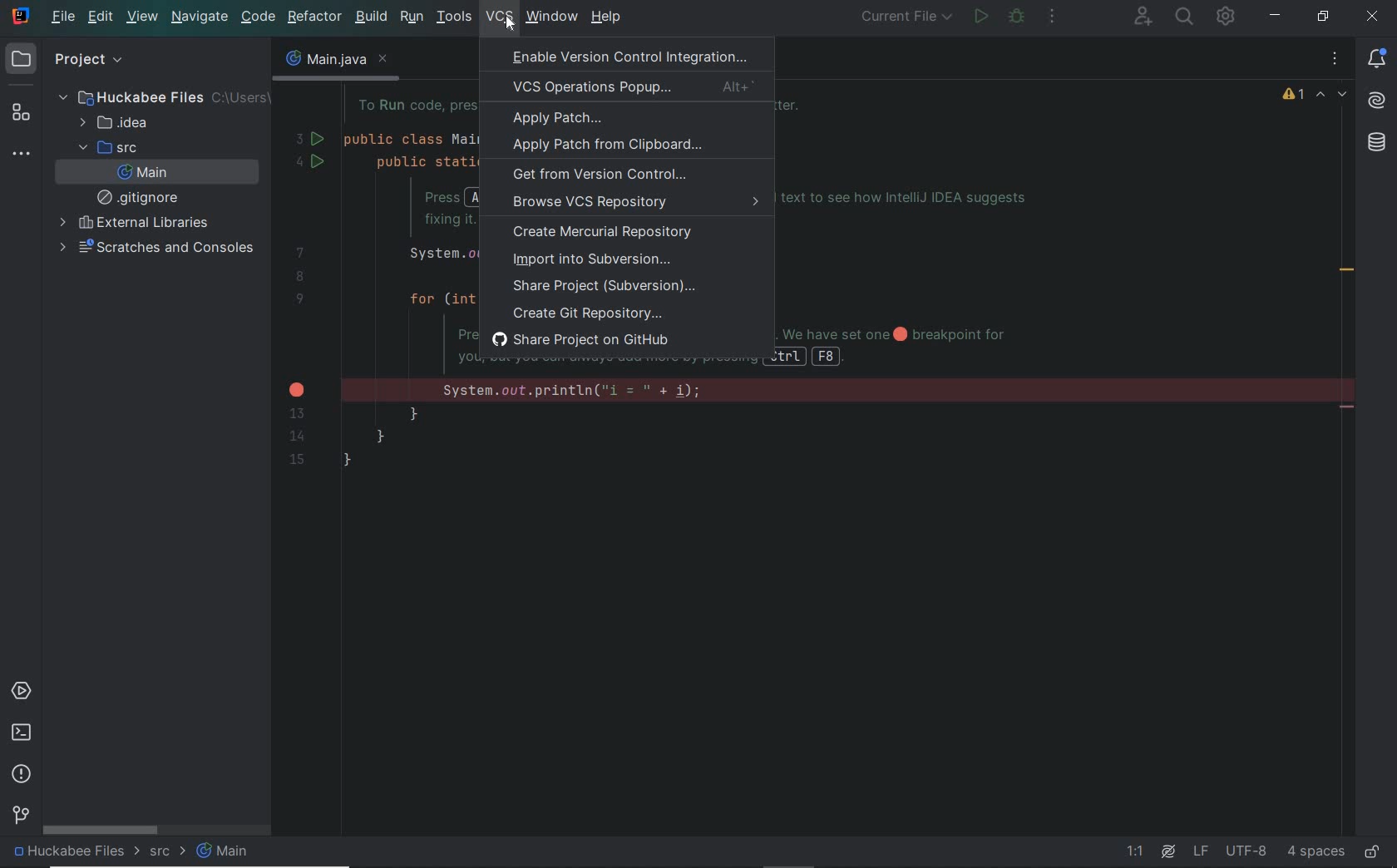 The height and width of the screenshot is (868, 1397). I want to click on enable version control integration, so click(626, 56).